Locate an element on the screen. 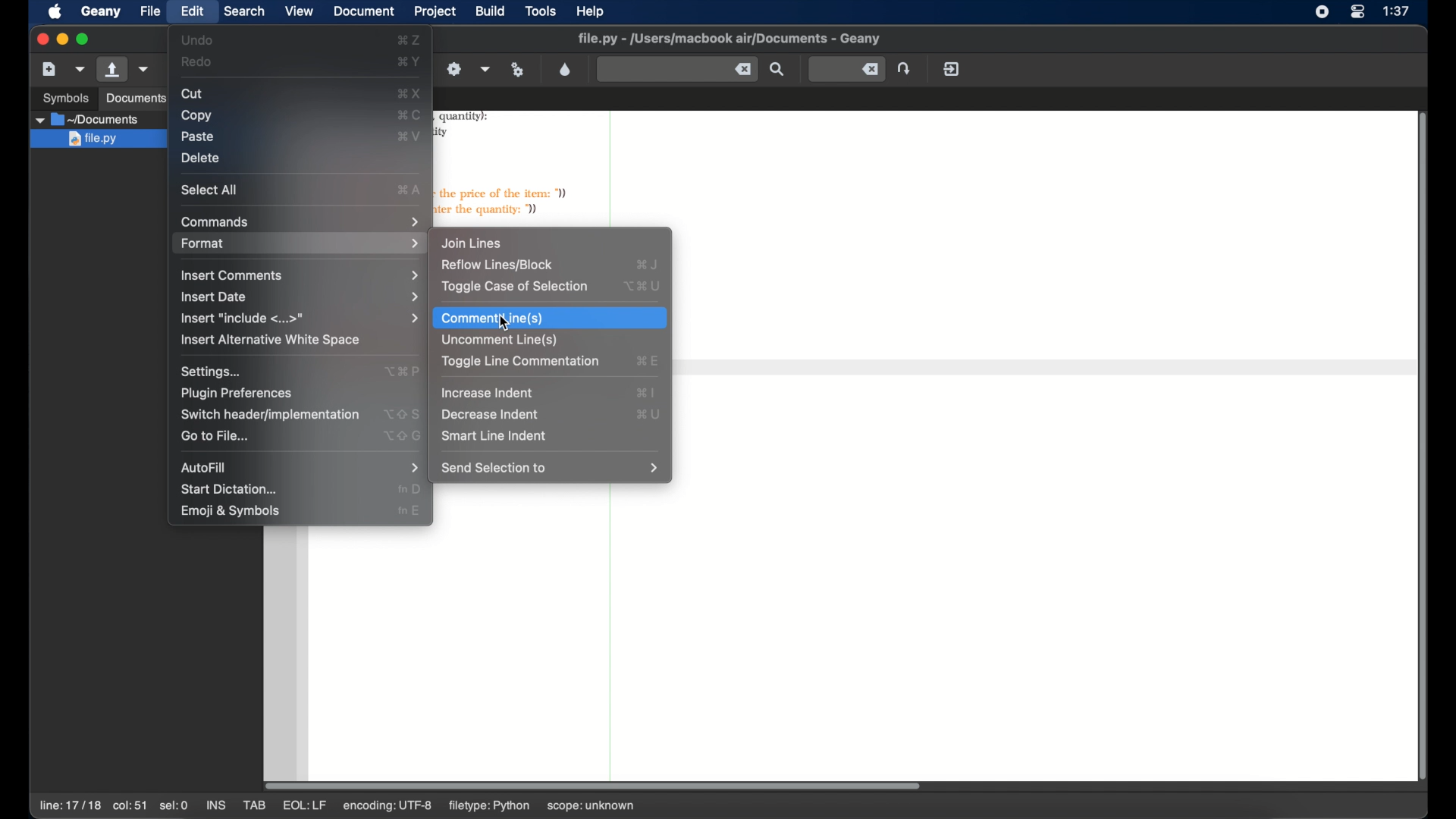  undo is located at coordinates (197, 40).